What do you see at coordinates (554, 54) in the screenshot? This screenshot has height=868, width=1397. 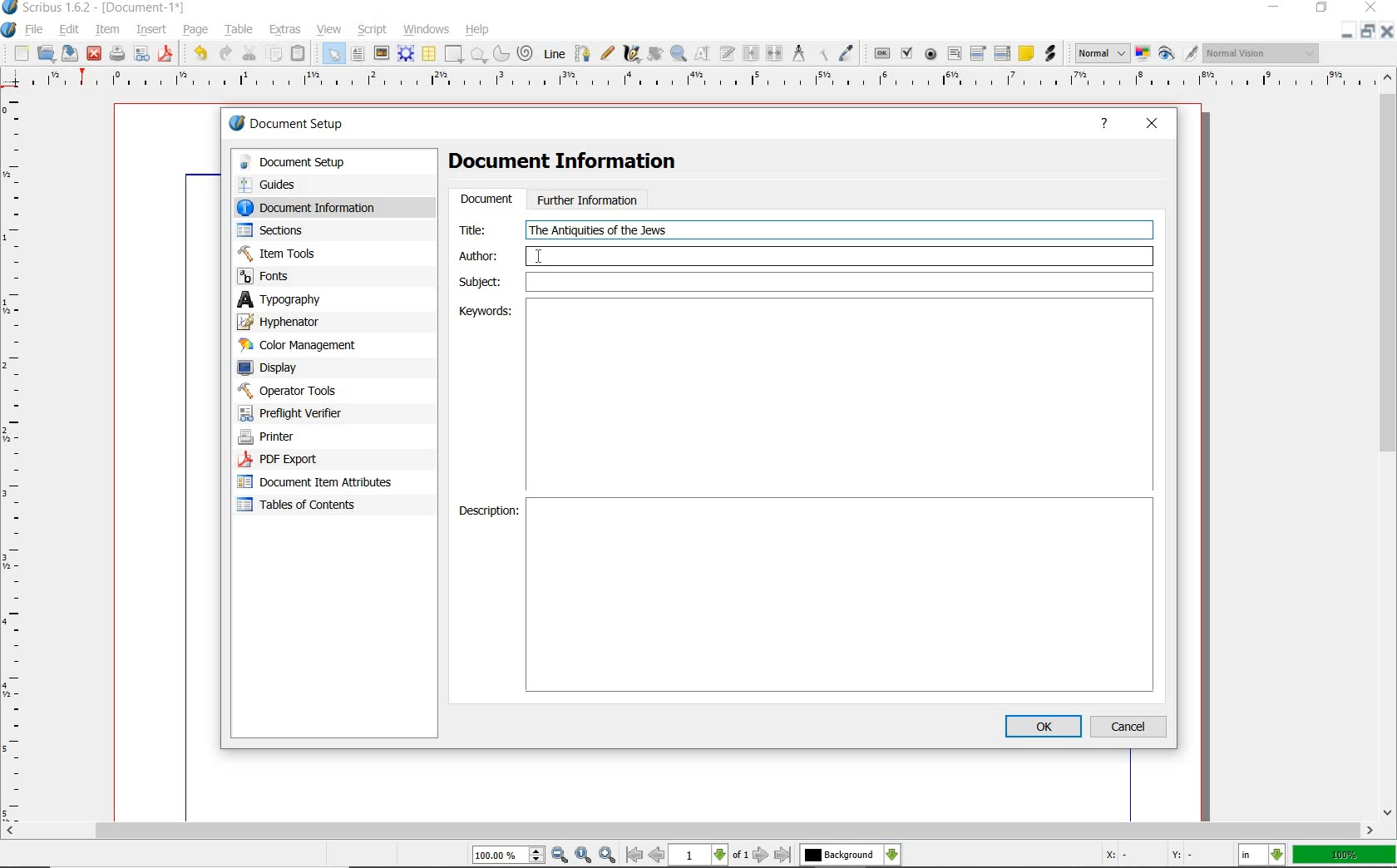 I see `Line` at bounding box center [554, 54].